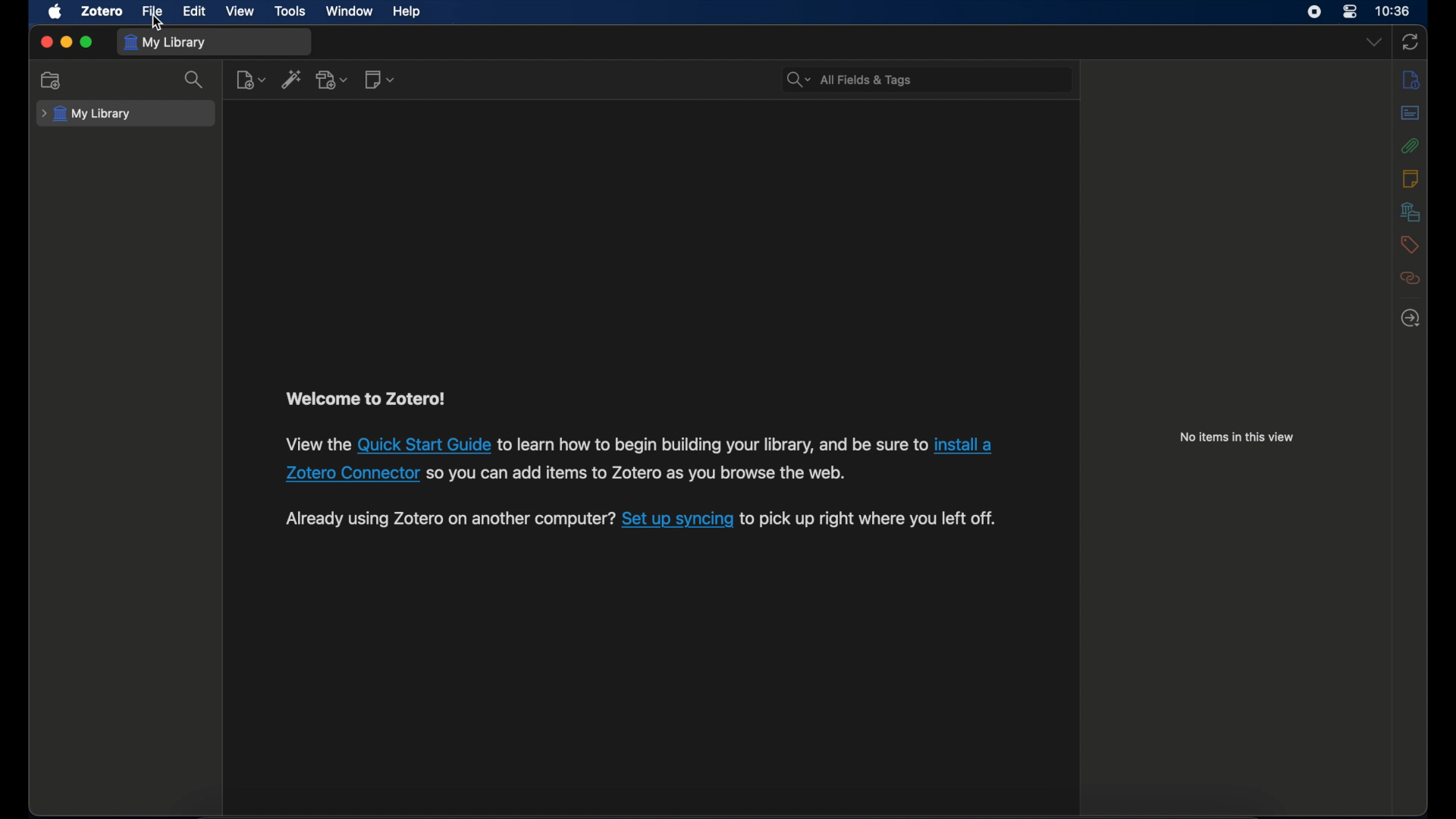  What do you see at coordinates (167, 43) in the screenshot?
I see `my library` at bounding box center [167, 43].